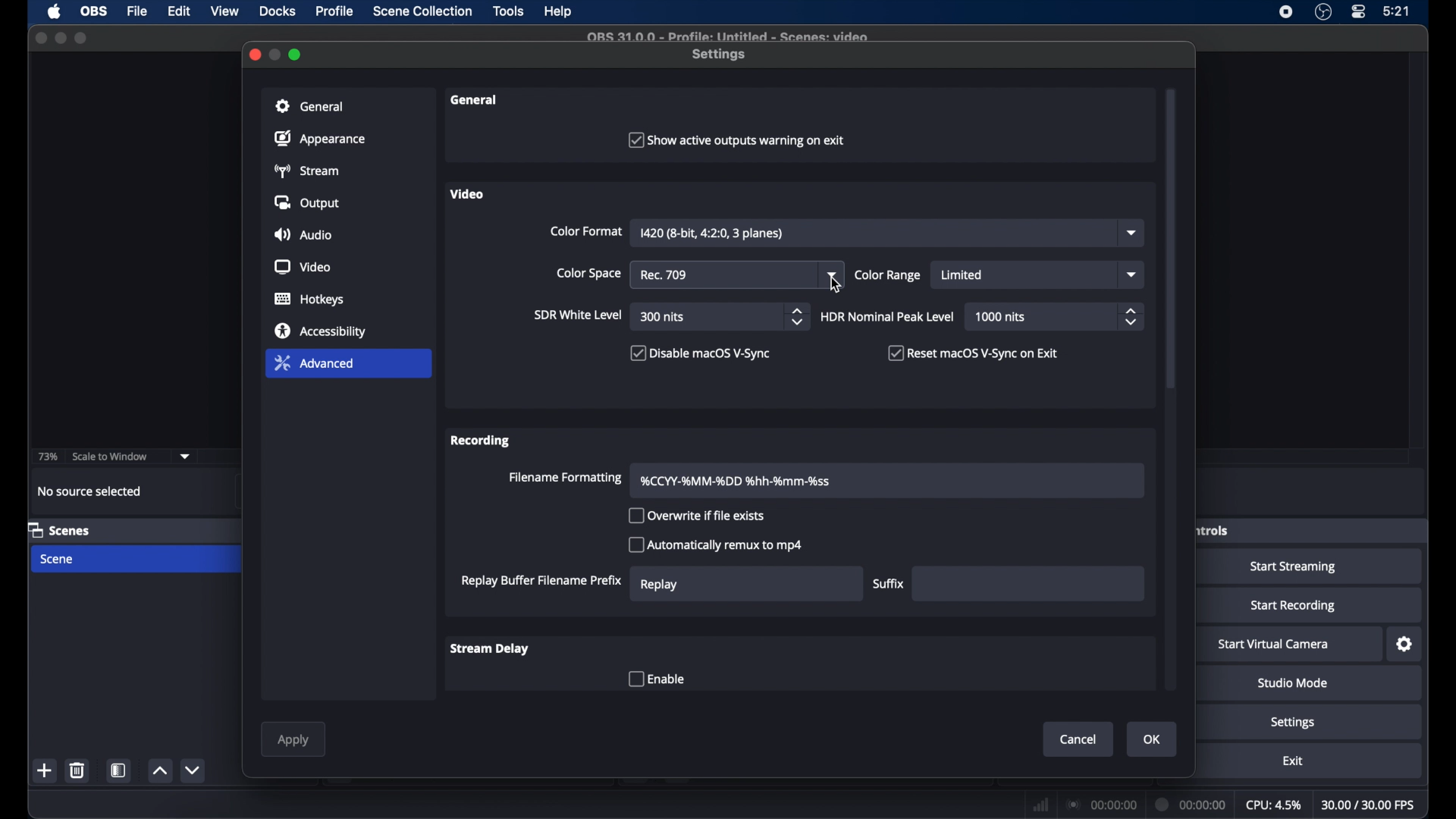 The image size is (1456, 819). What do you see at coordinates (1272, 805) in the screenshot?
I see `cpu` at bounding box center [1272, 805].